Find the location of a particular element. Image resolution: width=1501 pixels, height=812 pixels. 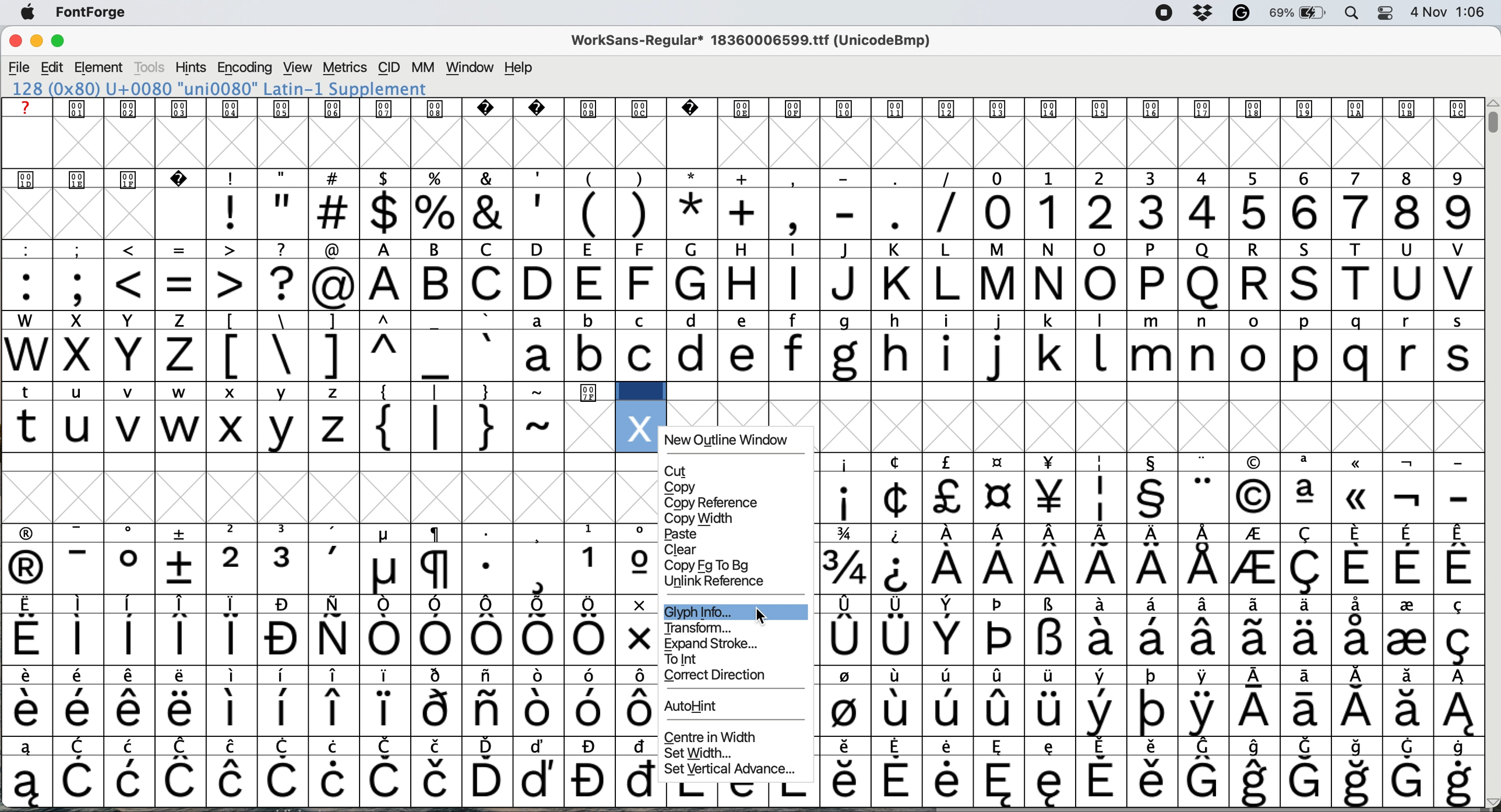

glypg info... is located at coordinates (699, 612).